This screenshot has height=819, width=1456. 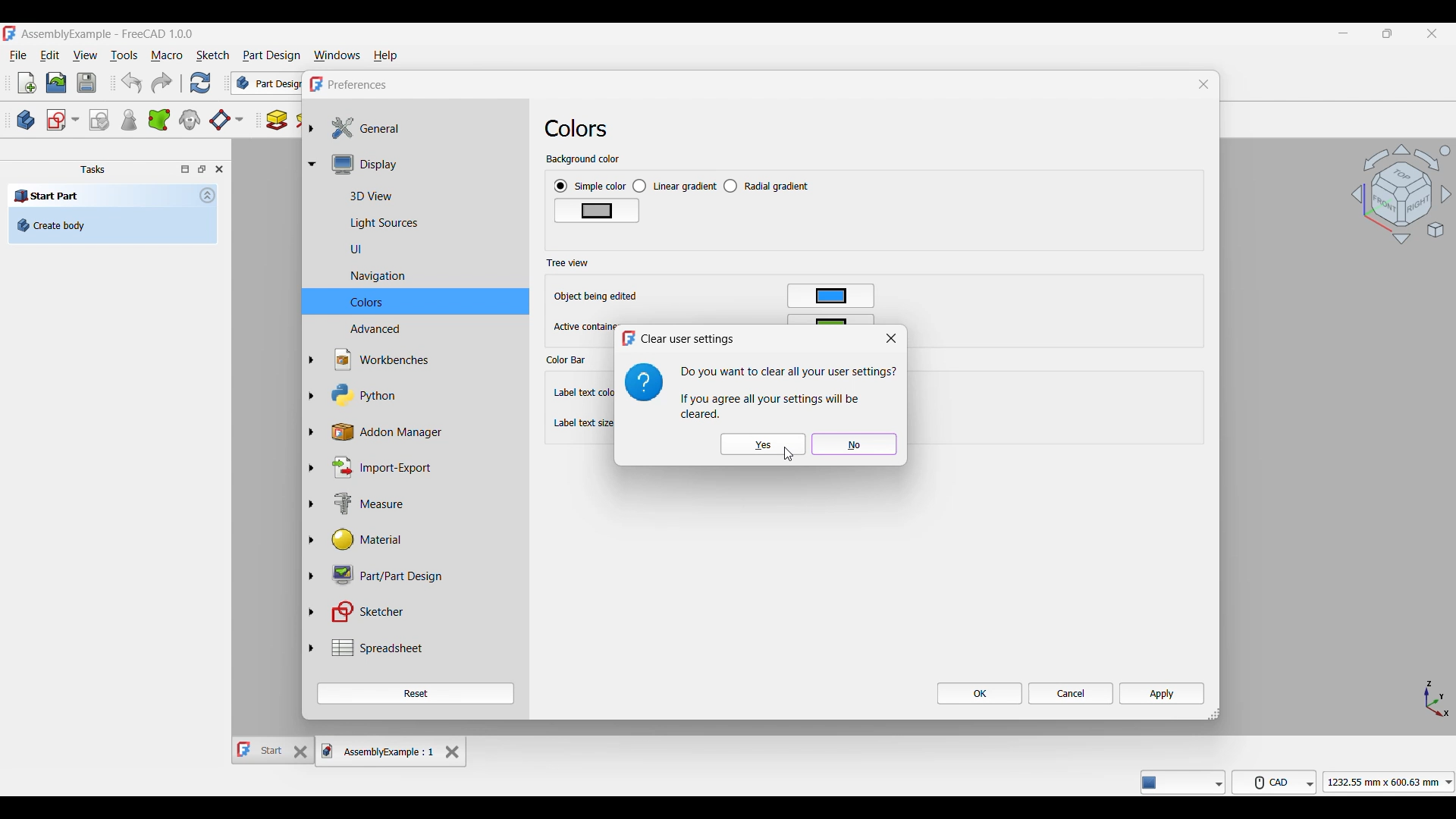 What do you see at coordinates (158, 120) in the screenshot?
I see `Create a sub-objects shape binder` at bounding box center [158, 120].